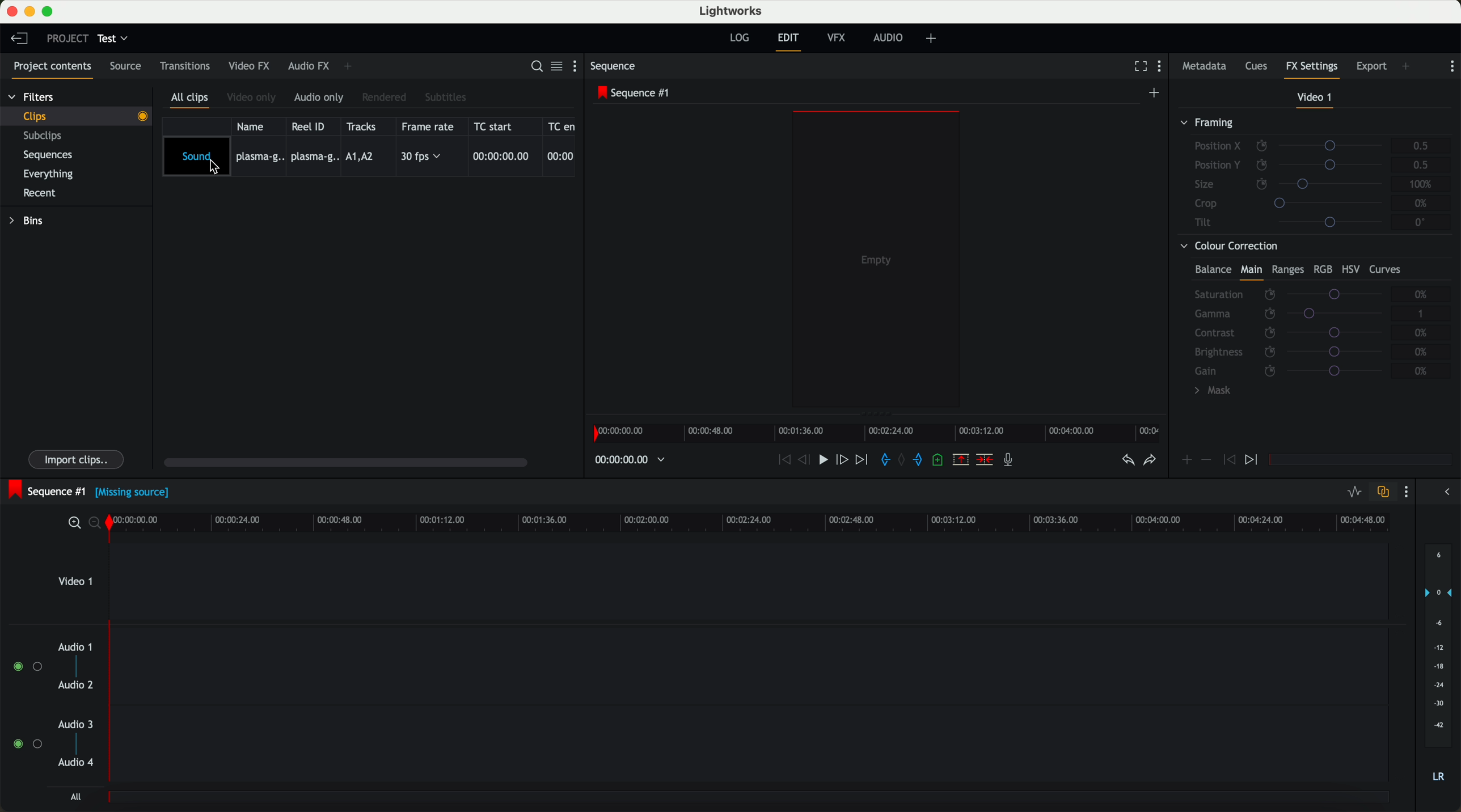 This screenshot has width=1461, height=812. Describe the element at coordinates (1314, 98) in the screenshot. I see `video 1` at that location.